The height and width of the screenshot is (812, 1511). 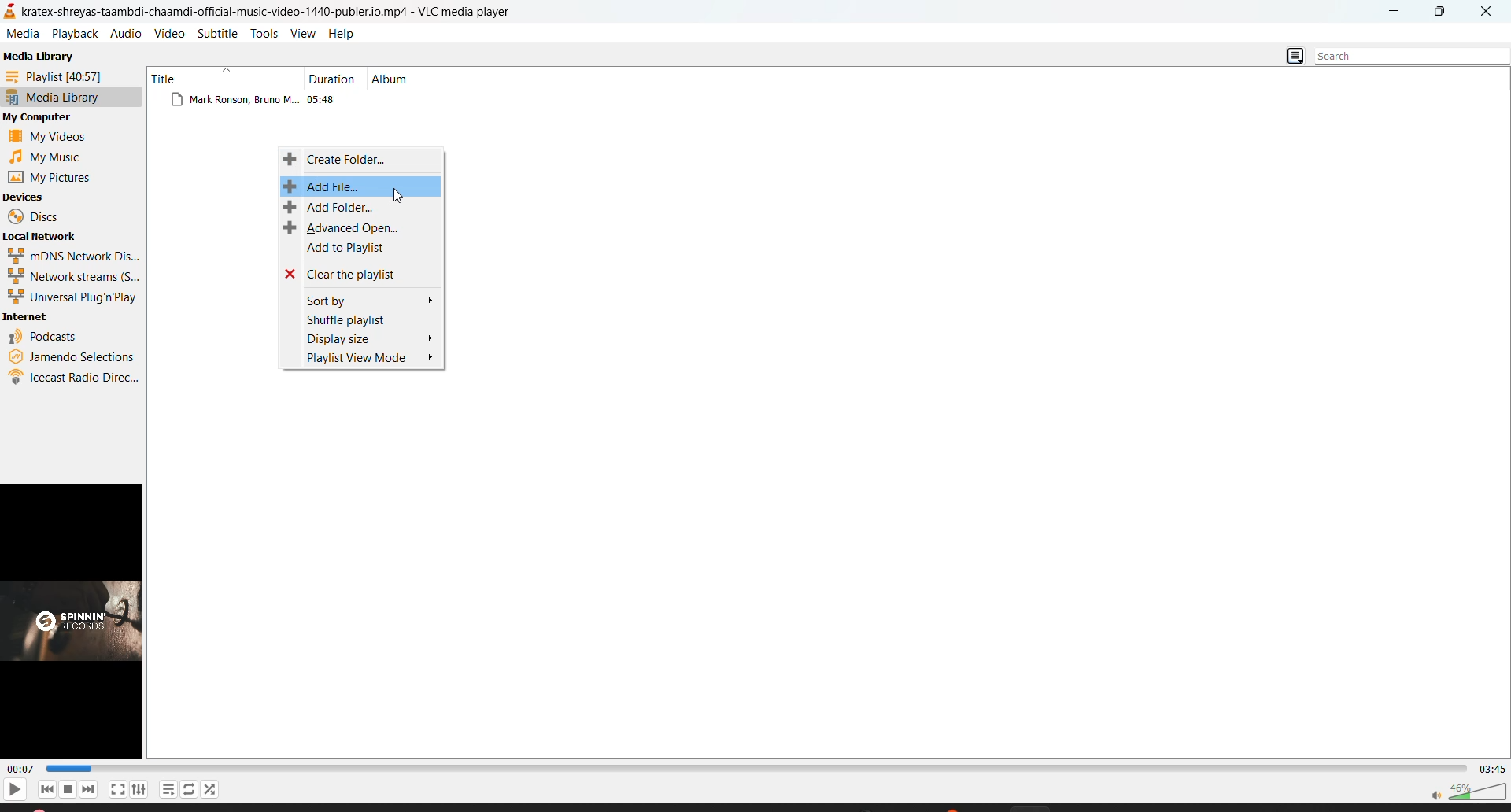 I want to click on local network, so click(x=49, y=238).